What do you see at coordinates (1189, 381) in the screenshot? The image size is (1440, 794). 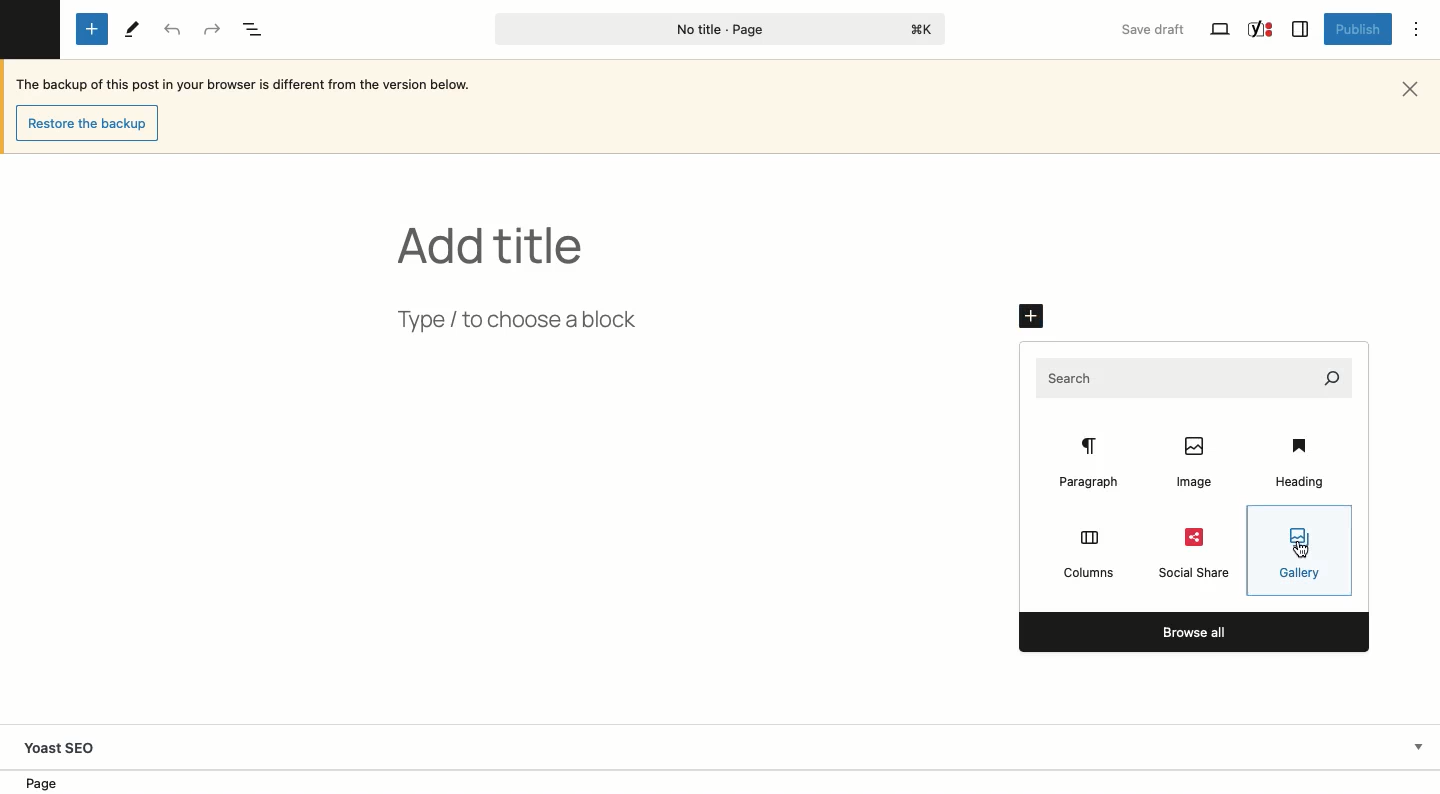 I see `Search` at bounding box center [1189, 381].